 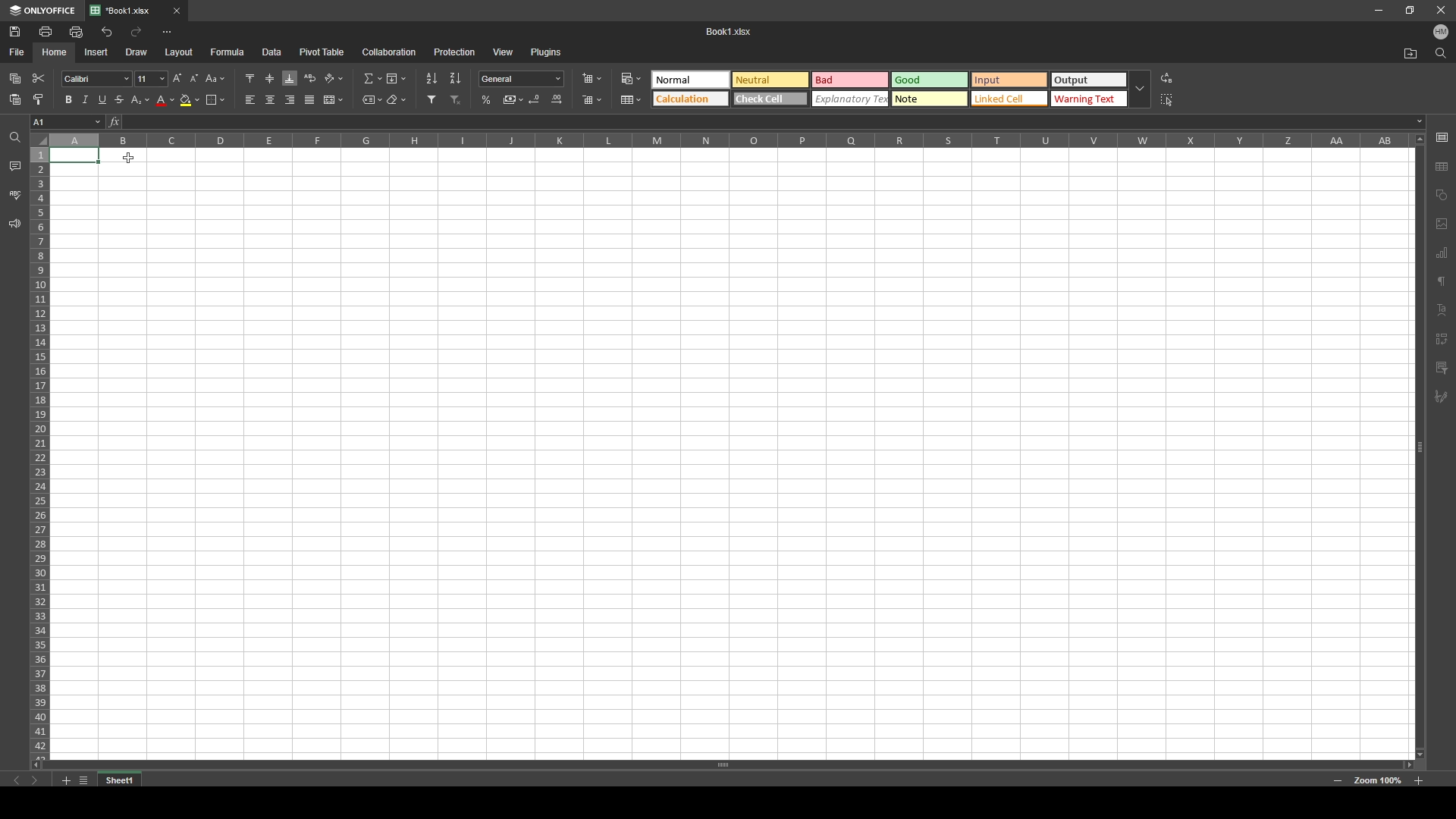 I want to click on fill, so click(x=396, y=77).